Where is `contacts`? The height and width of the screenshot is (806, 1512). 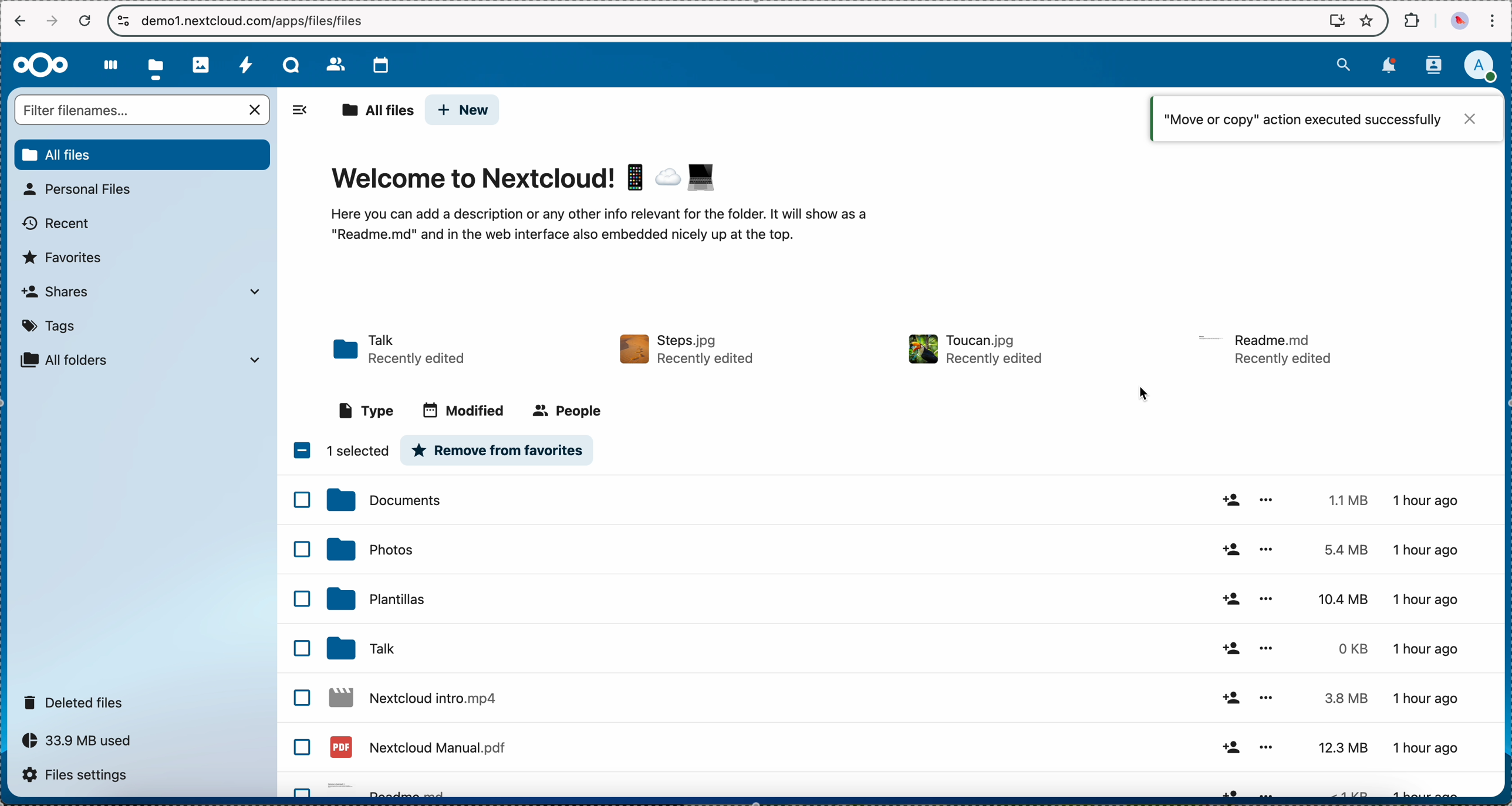 contacts is located at coordinates (1437, 64).